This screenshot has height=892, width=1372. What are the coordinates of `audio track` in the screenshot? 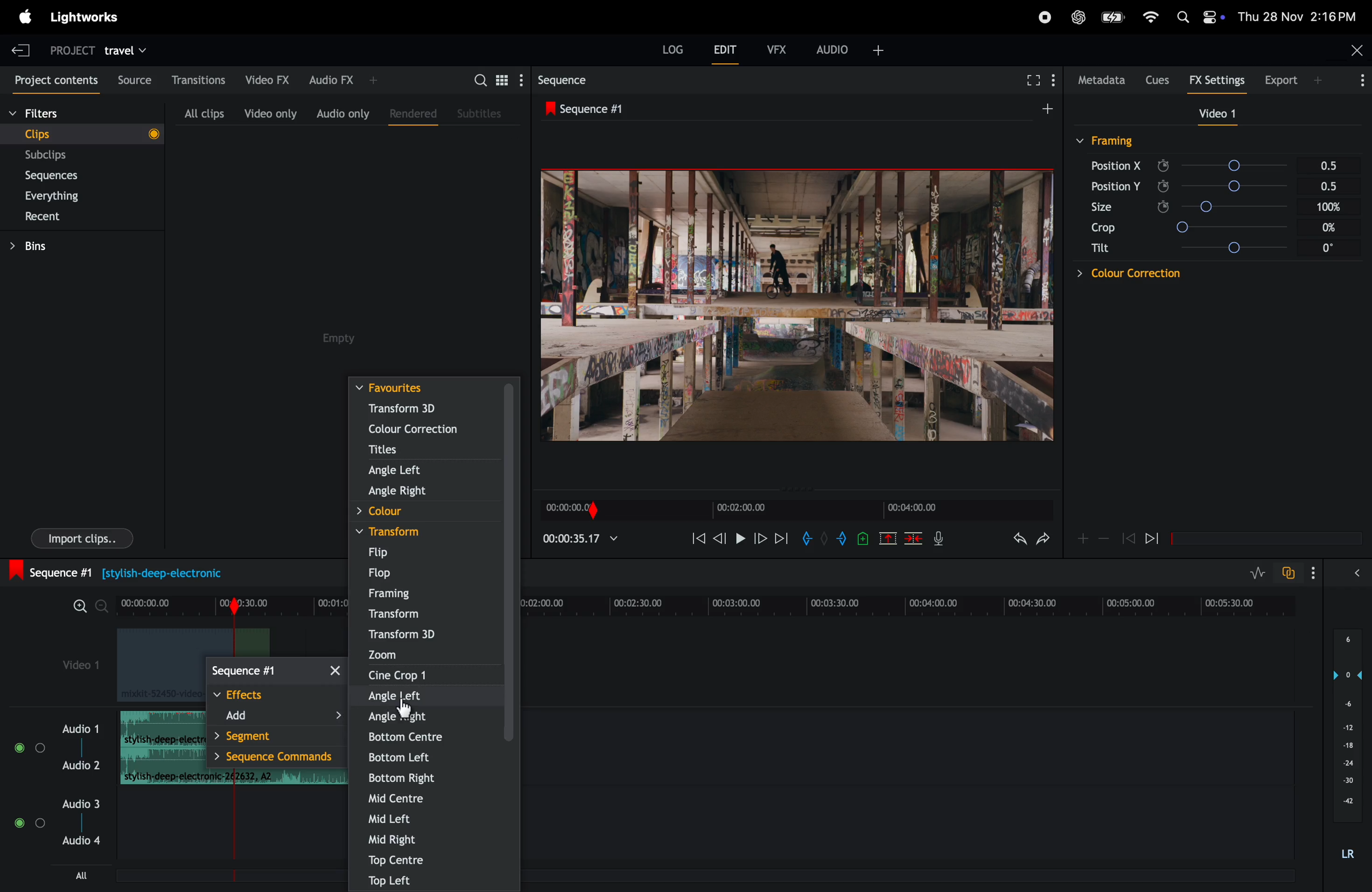 It's located at (159, 747).